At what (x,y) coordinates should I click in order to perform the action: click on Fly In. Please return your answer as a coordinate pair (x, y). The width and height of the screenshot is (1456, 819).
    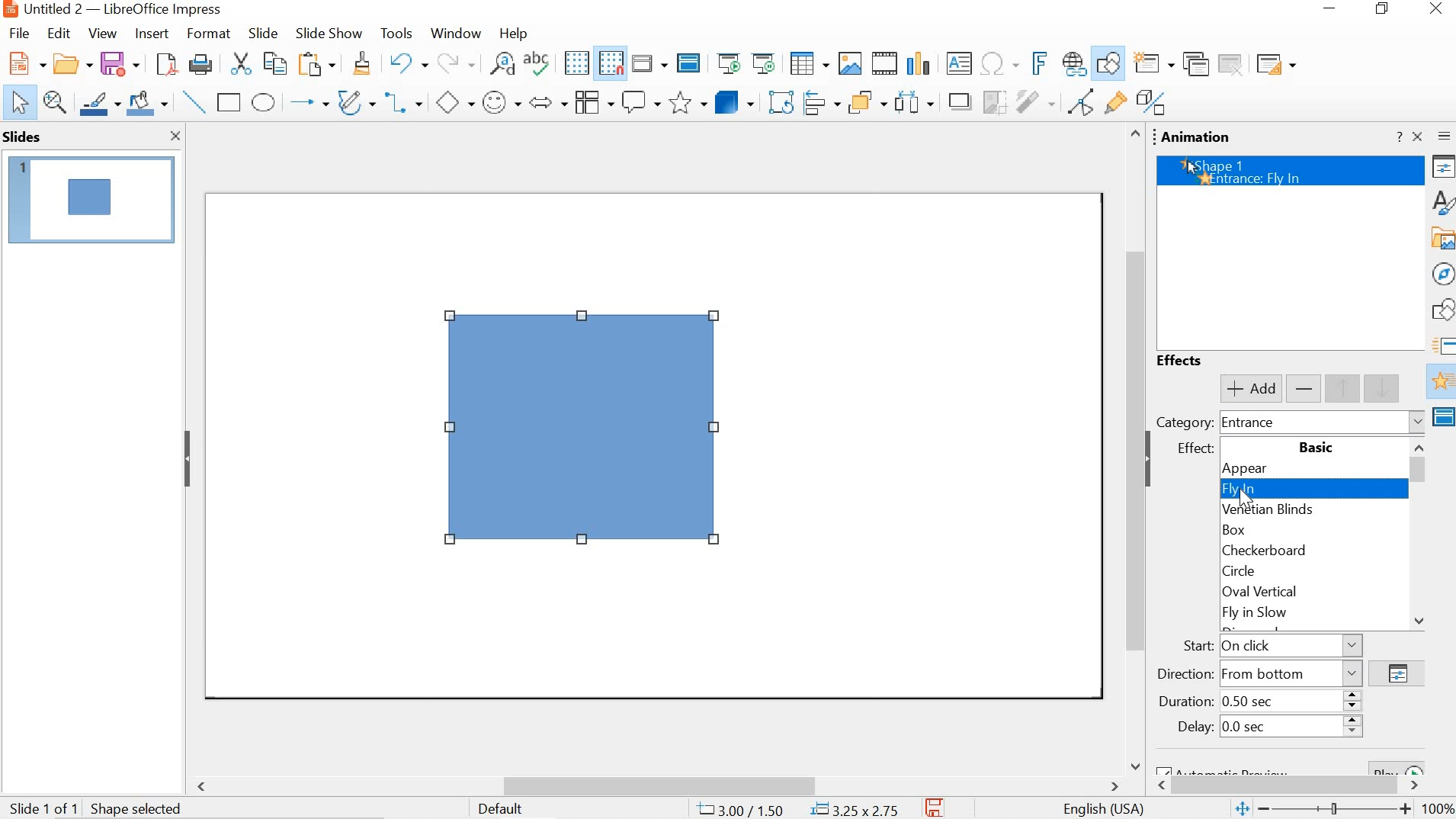
    Looking at the image, I should click on (1314, 489).